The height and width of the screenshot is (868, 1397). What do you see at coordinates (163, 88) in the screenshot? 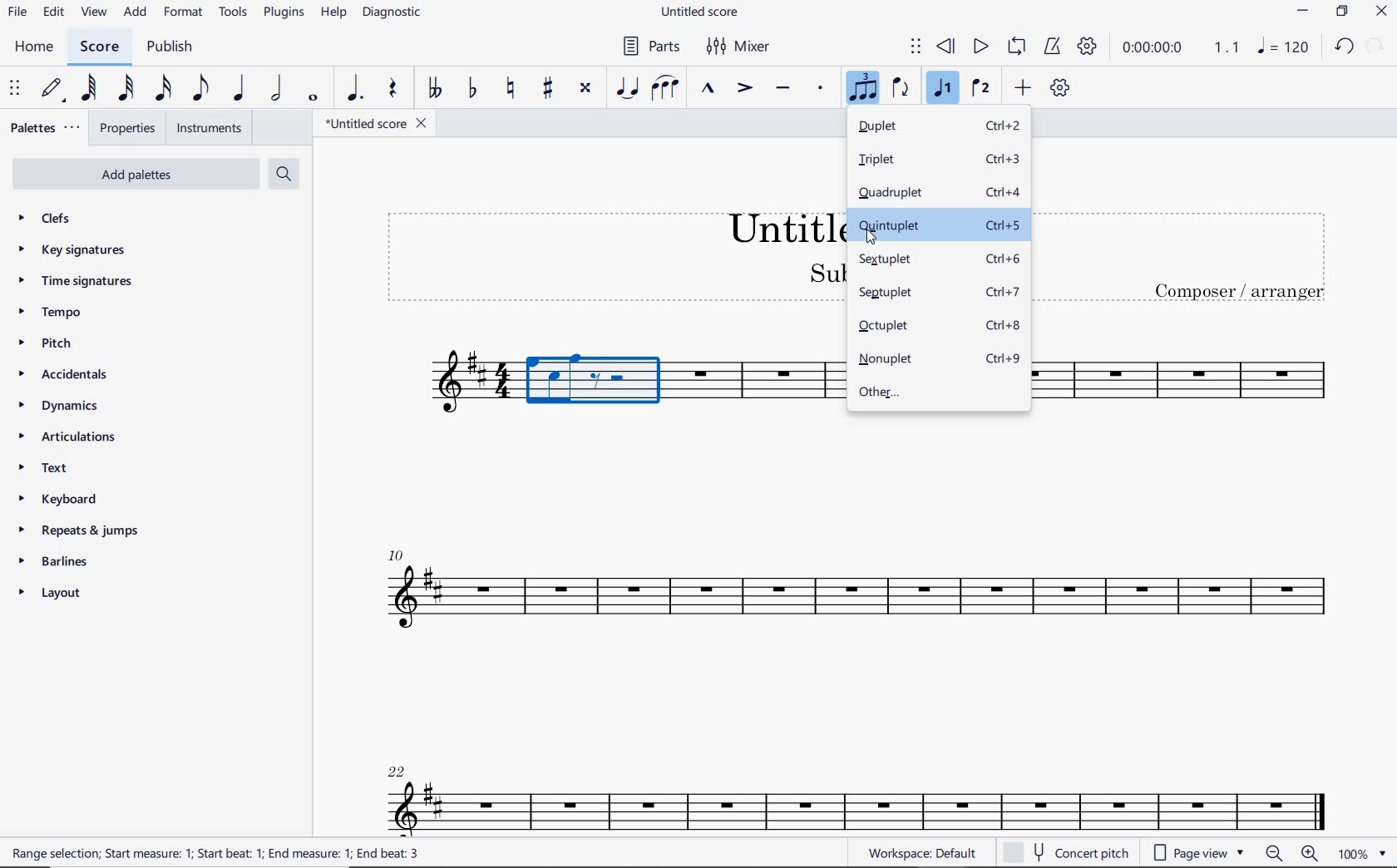
I see `16TH NOTE` at bounding box center [163, 88].